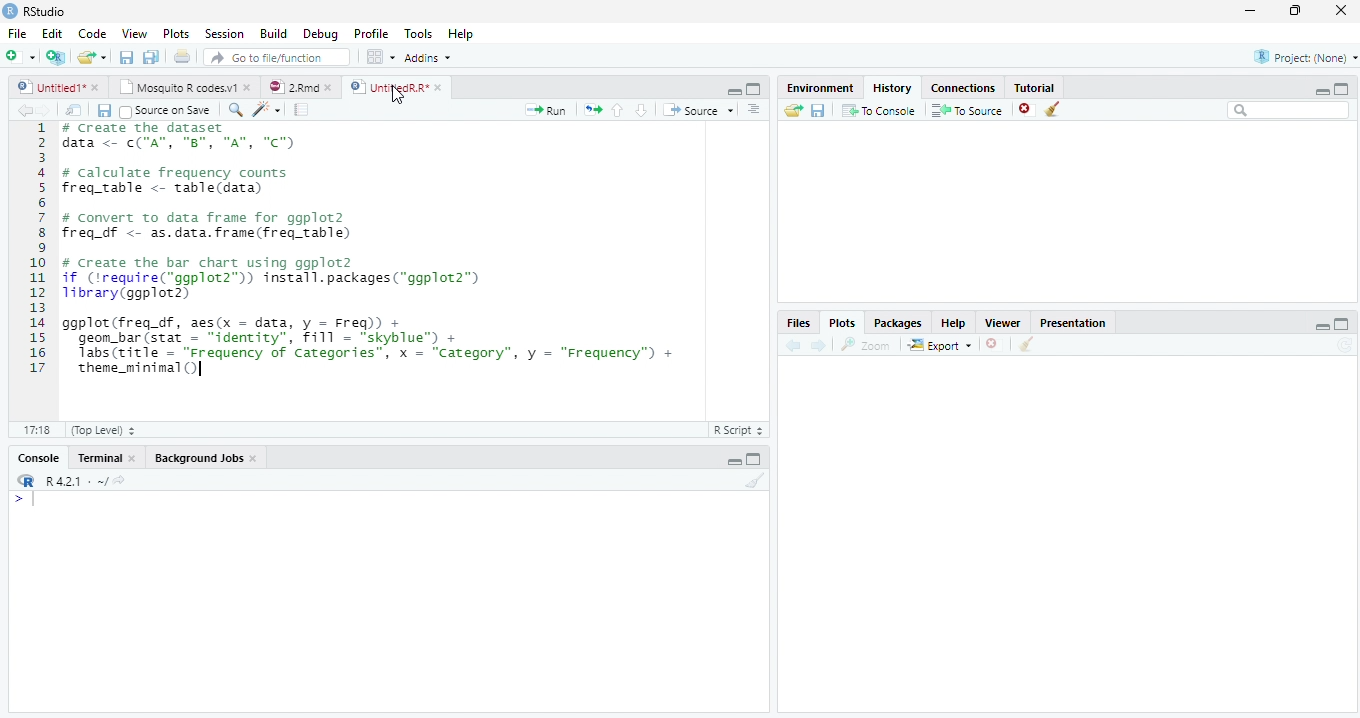 This screenshot has width=1360, height=718. Describe the element at coordinates (1251, 10) in the screenshot. I see `Minimize` at that location.